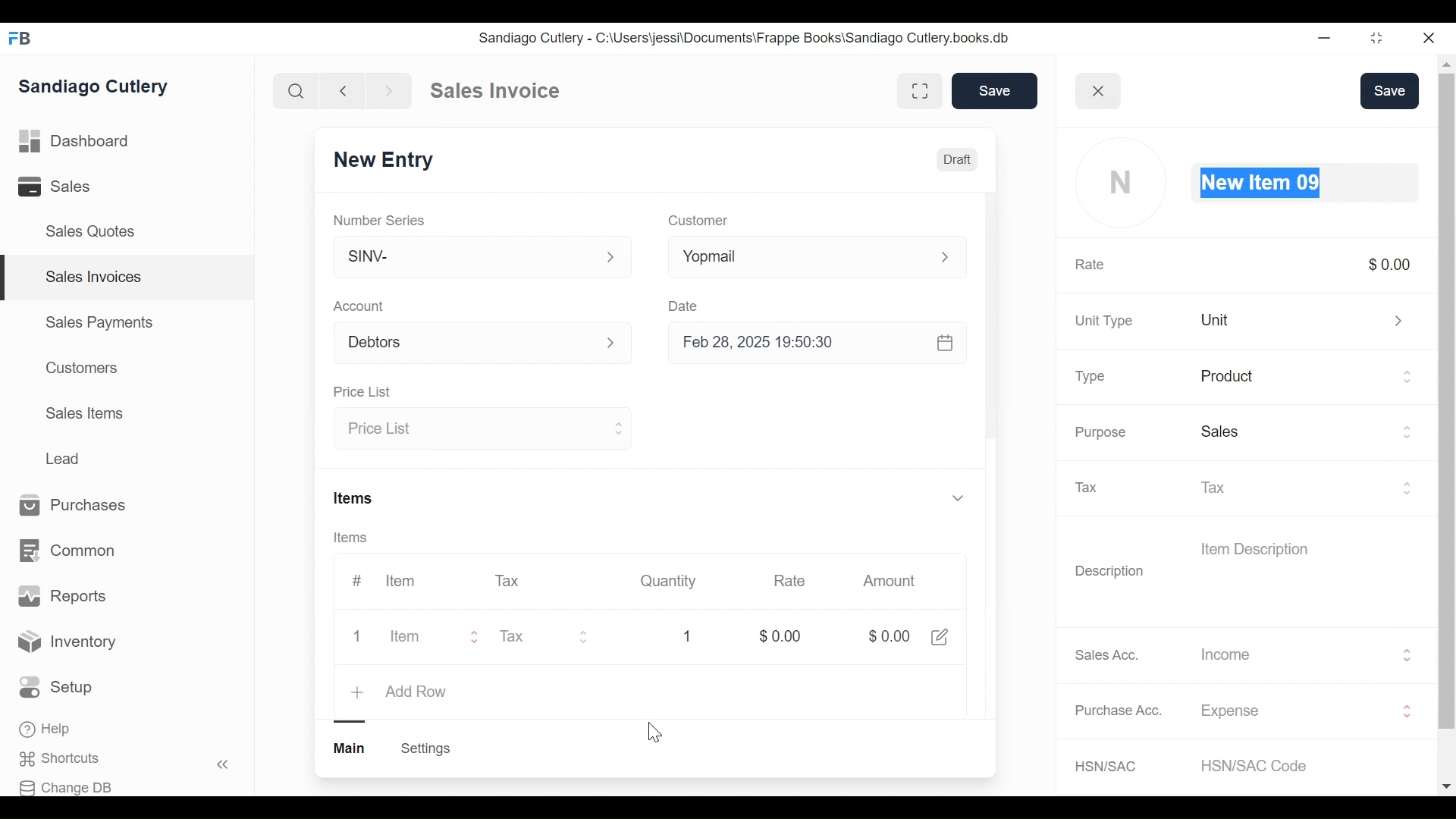 The width and height of the screenshot is (1456, 819). Describe the element at coordinates (1100, 90) in the screenshot. I see `close` at that location.